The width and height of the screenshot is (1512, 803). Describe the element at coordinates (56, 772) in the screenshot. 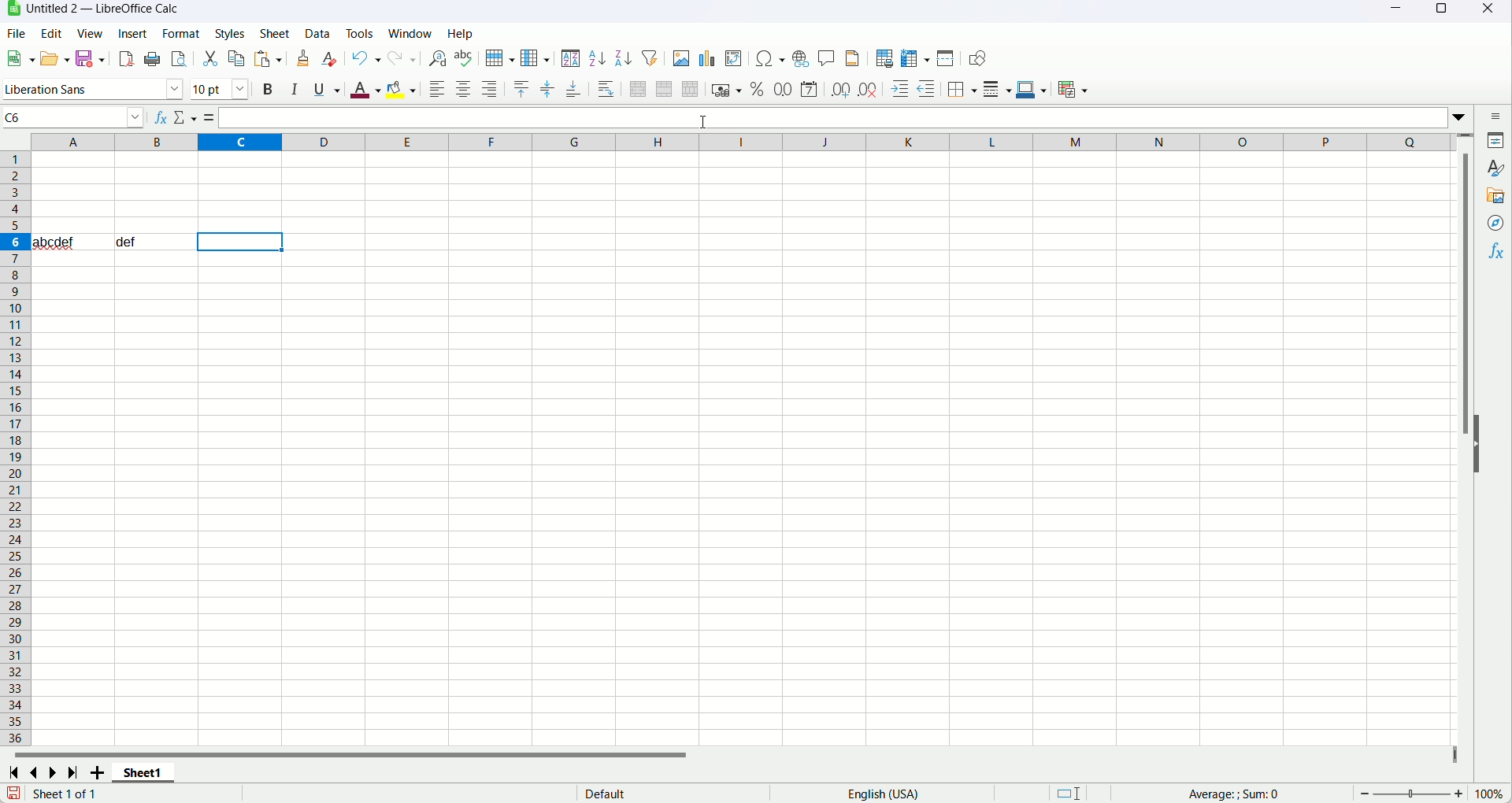

I see `scroll to next sheet` at that location.